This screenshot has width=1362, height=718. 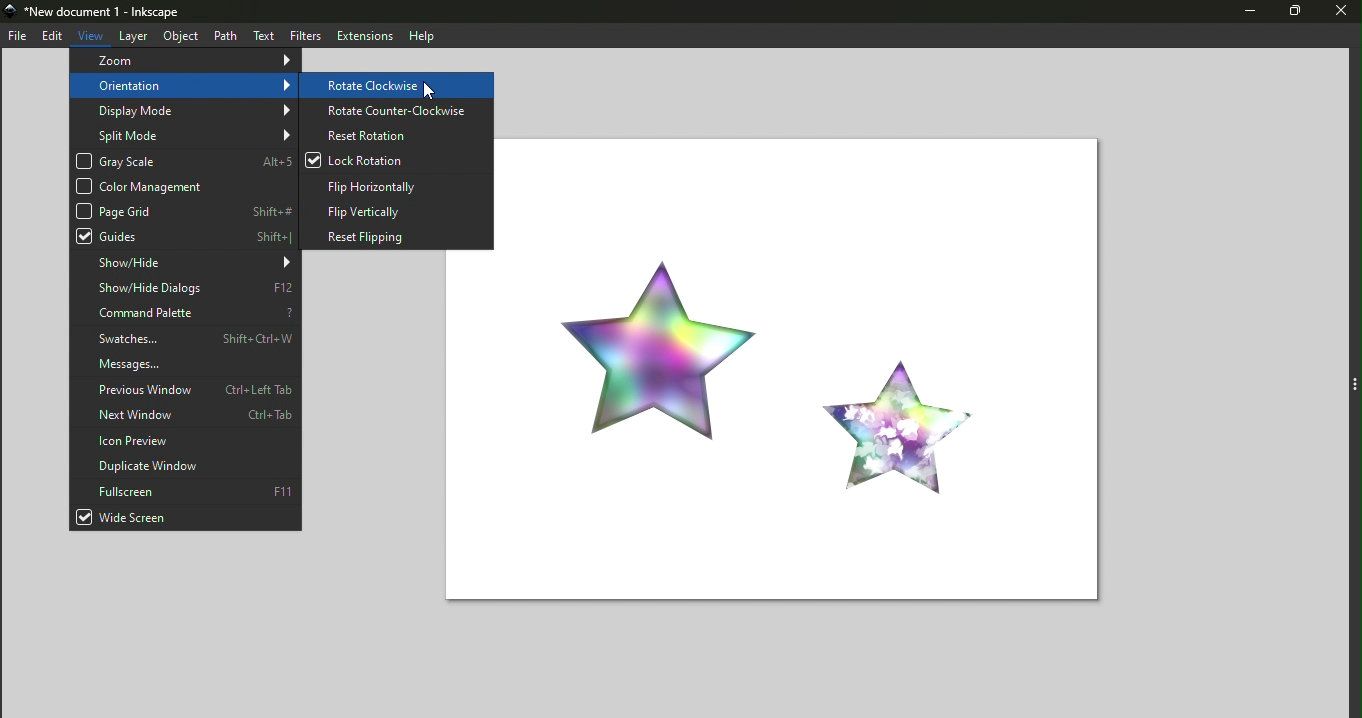 What do you see at coordinates (399, 161) in the screenshot?
I see `Lock rotation` at bounding box center [399, 161].